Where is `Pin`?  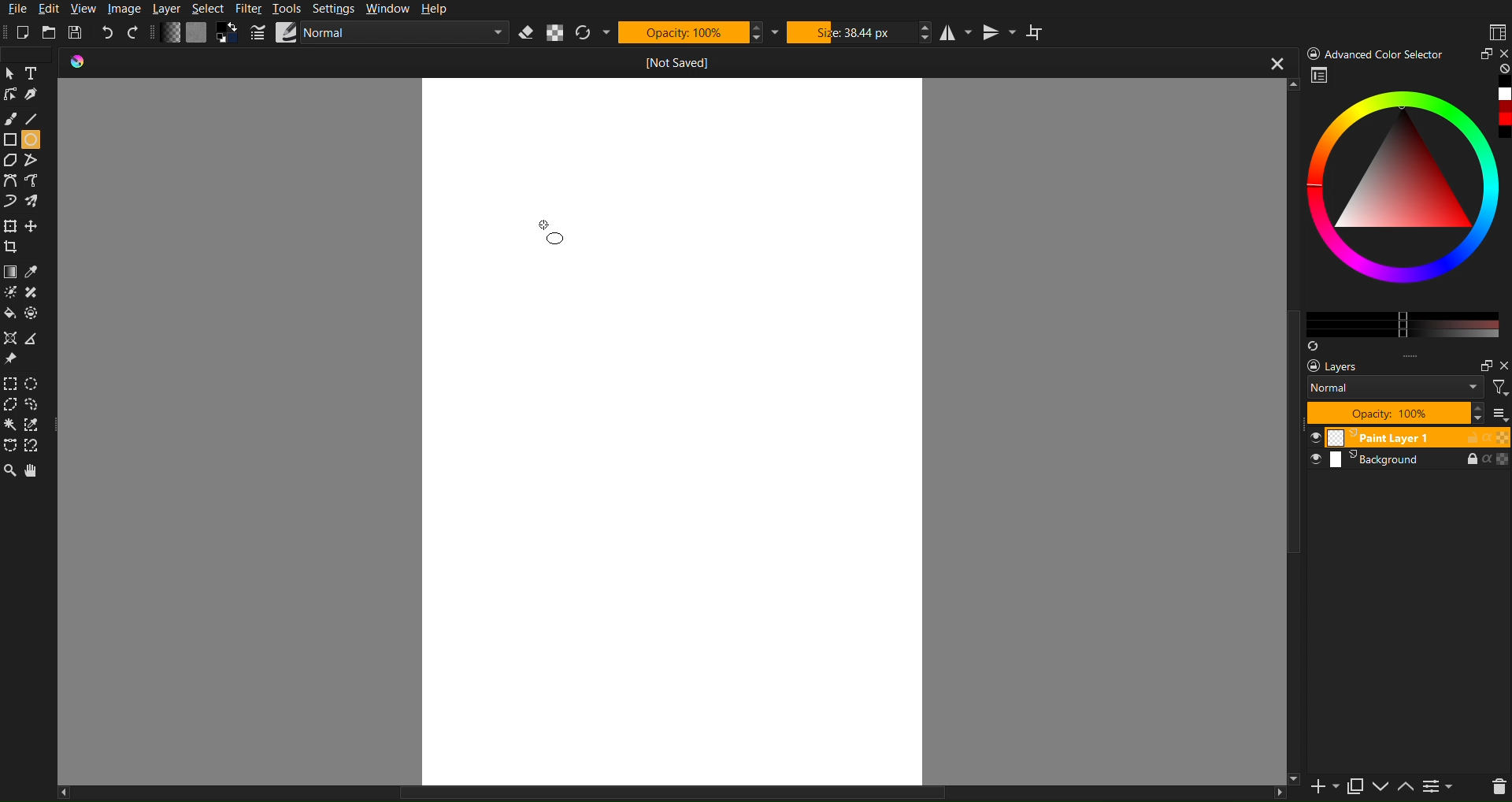
Pin is located at coordinates (13, 358).